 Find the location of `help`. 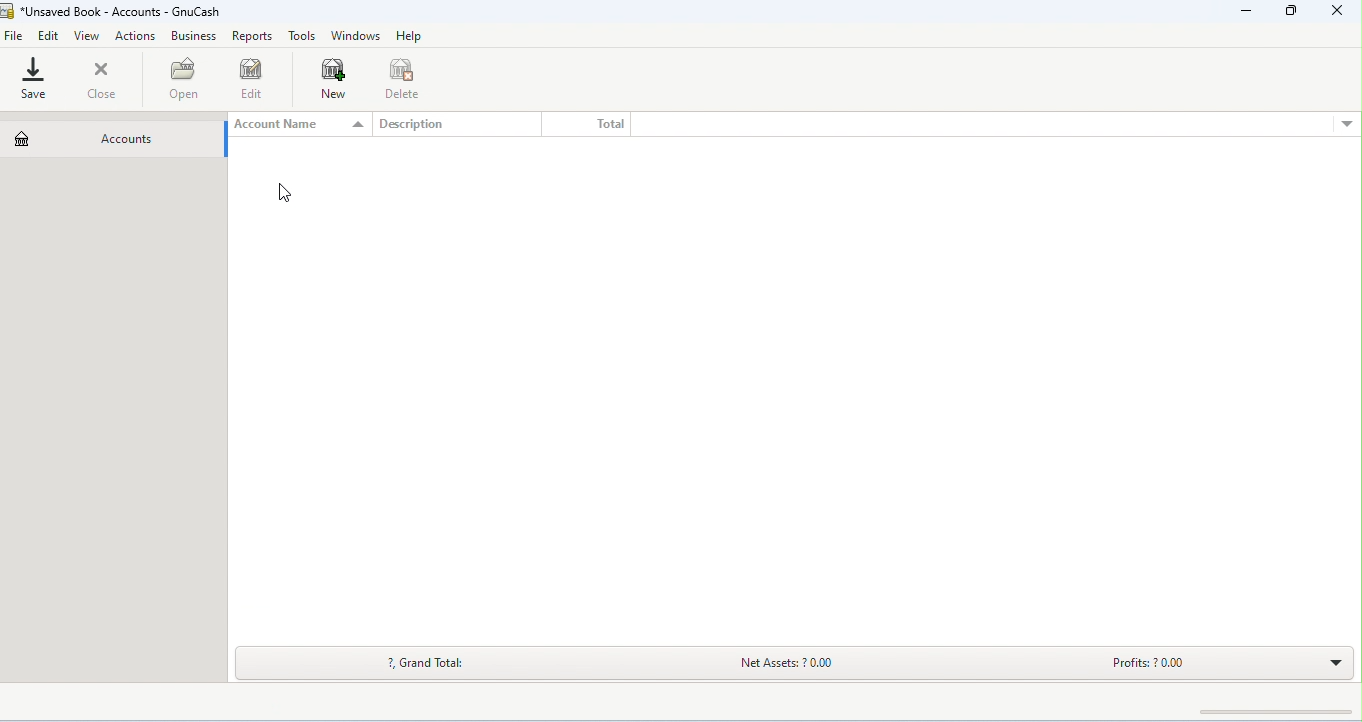

help is located at coordinates (408, 35).